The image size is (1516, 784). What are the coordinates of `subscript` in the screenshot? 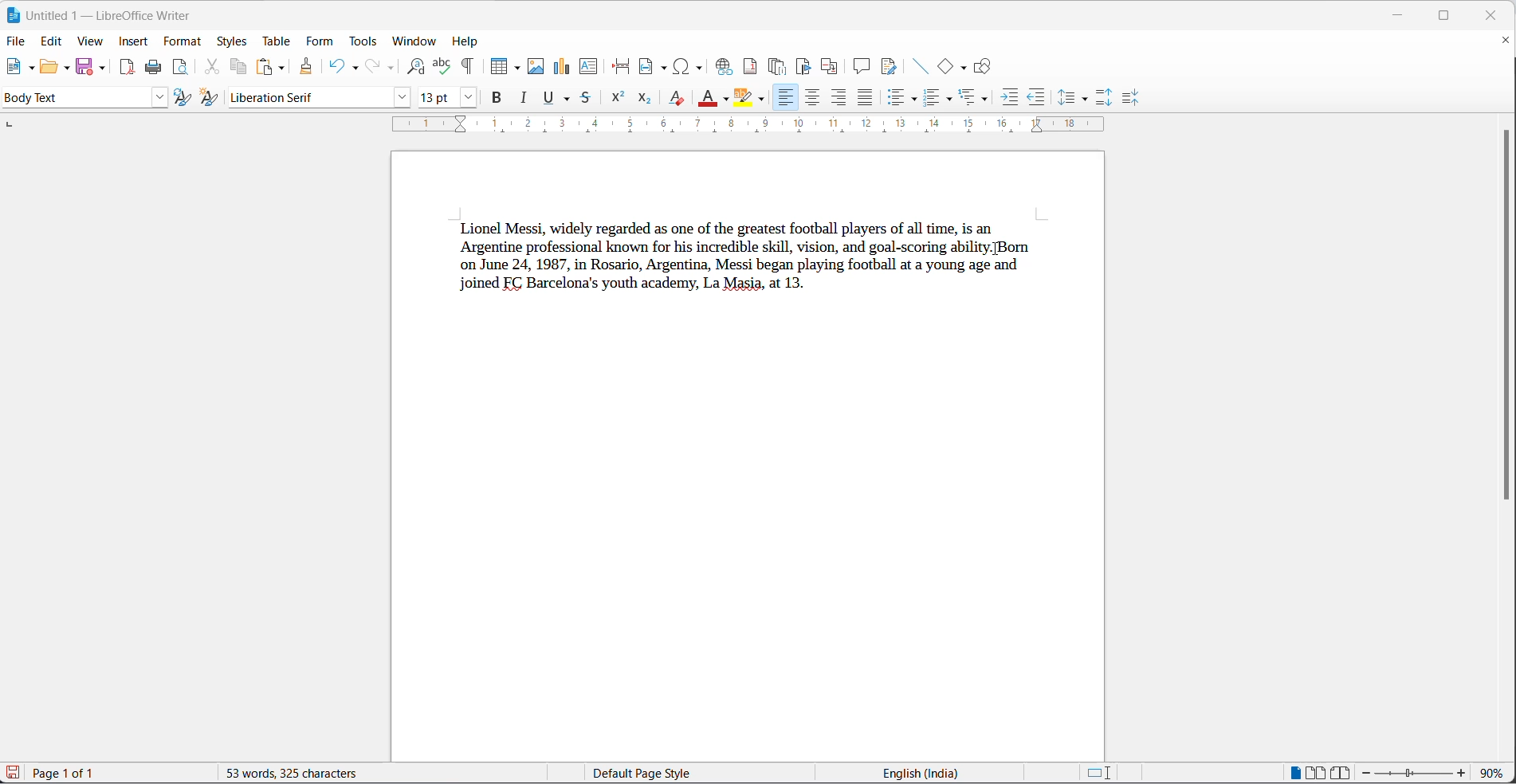 It's located at (646, 98).